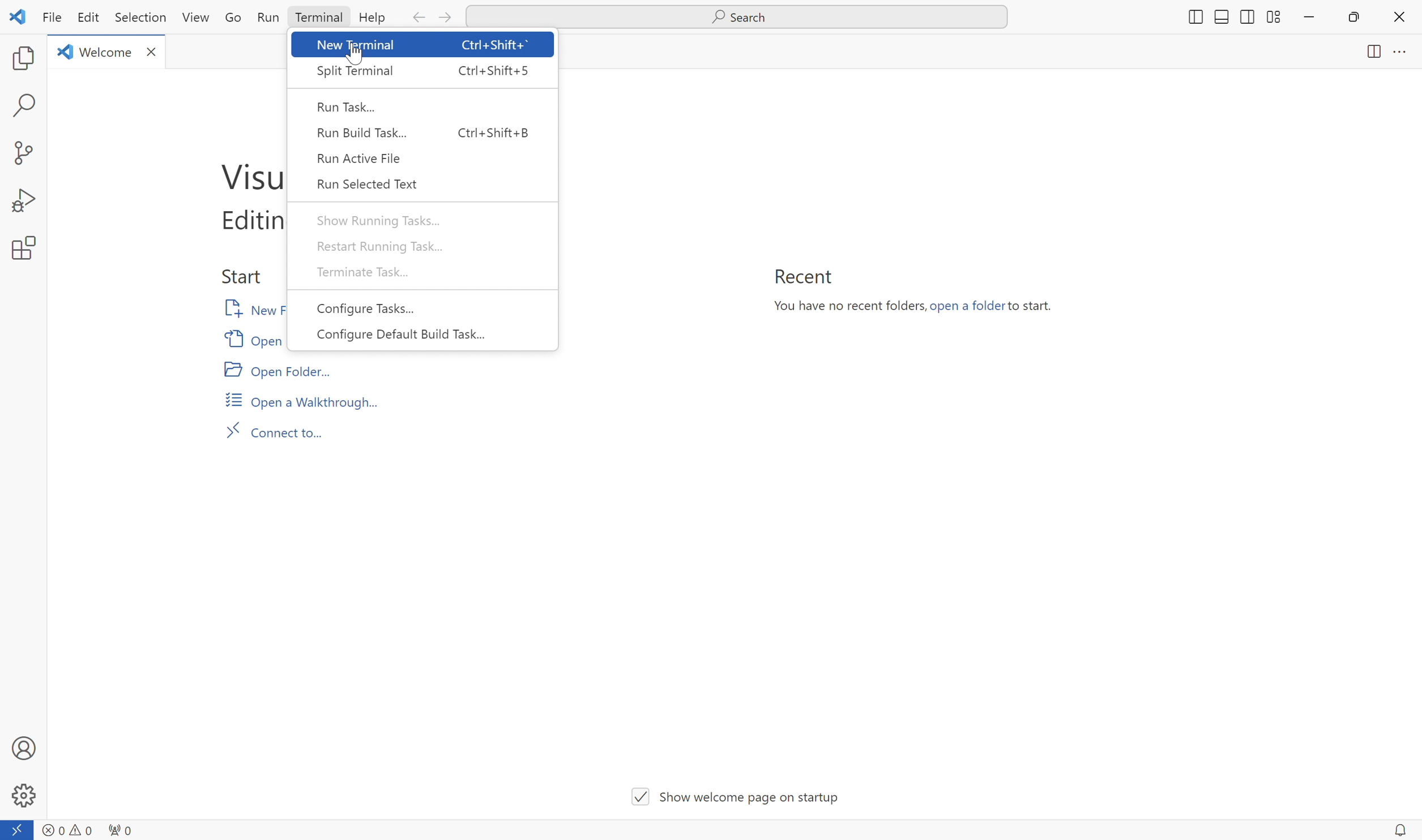 Image resolution: width=1422 pixels, height=840 pixels. Describe the element at coordinates (421, 72) in the screenshot. I see `Split Terminal` at that location.